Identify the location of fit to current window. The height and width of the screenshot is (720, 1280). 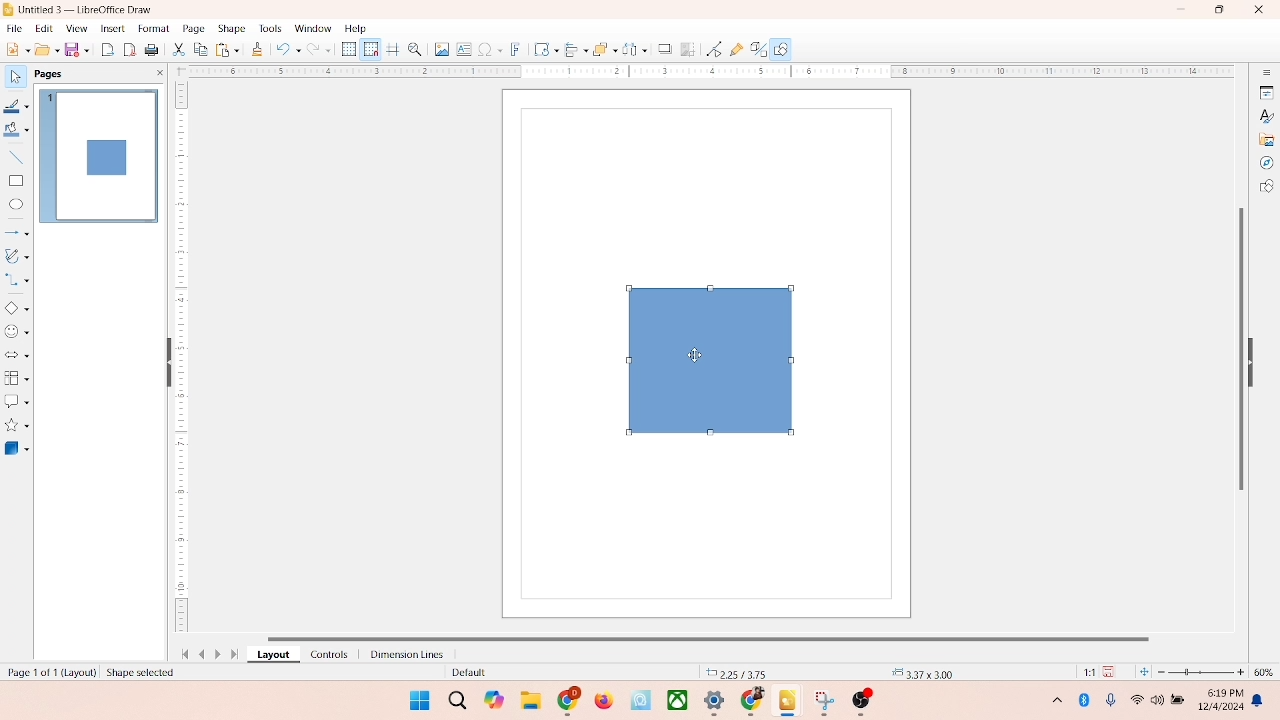
(1143, 672).